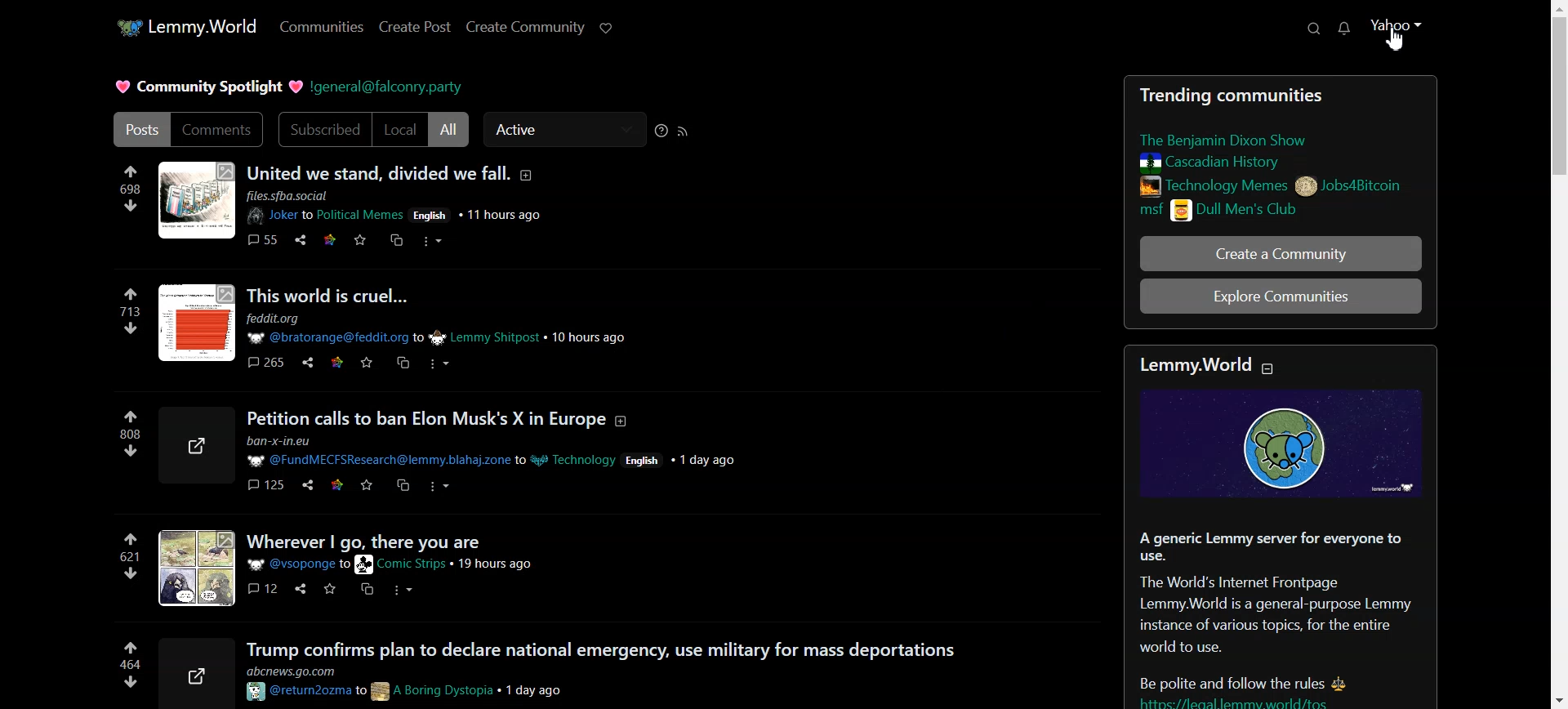 The width and height of the screenshot is (1568, 709). What do you see at coordinates (196, 199) in the screenshot?
I see `profile picture` at bounding box center [196, 199].